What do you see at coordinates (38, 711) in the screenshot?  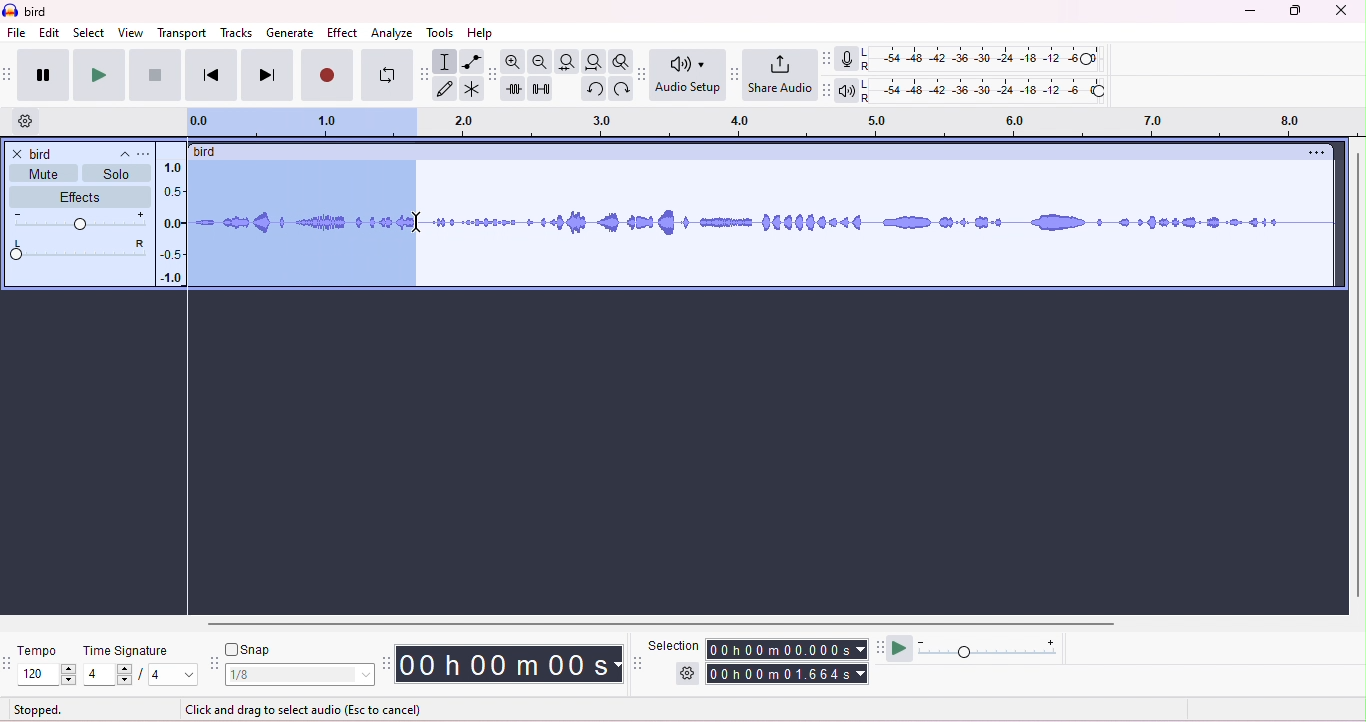 I see `stopped` at bounding box center [38, 711].